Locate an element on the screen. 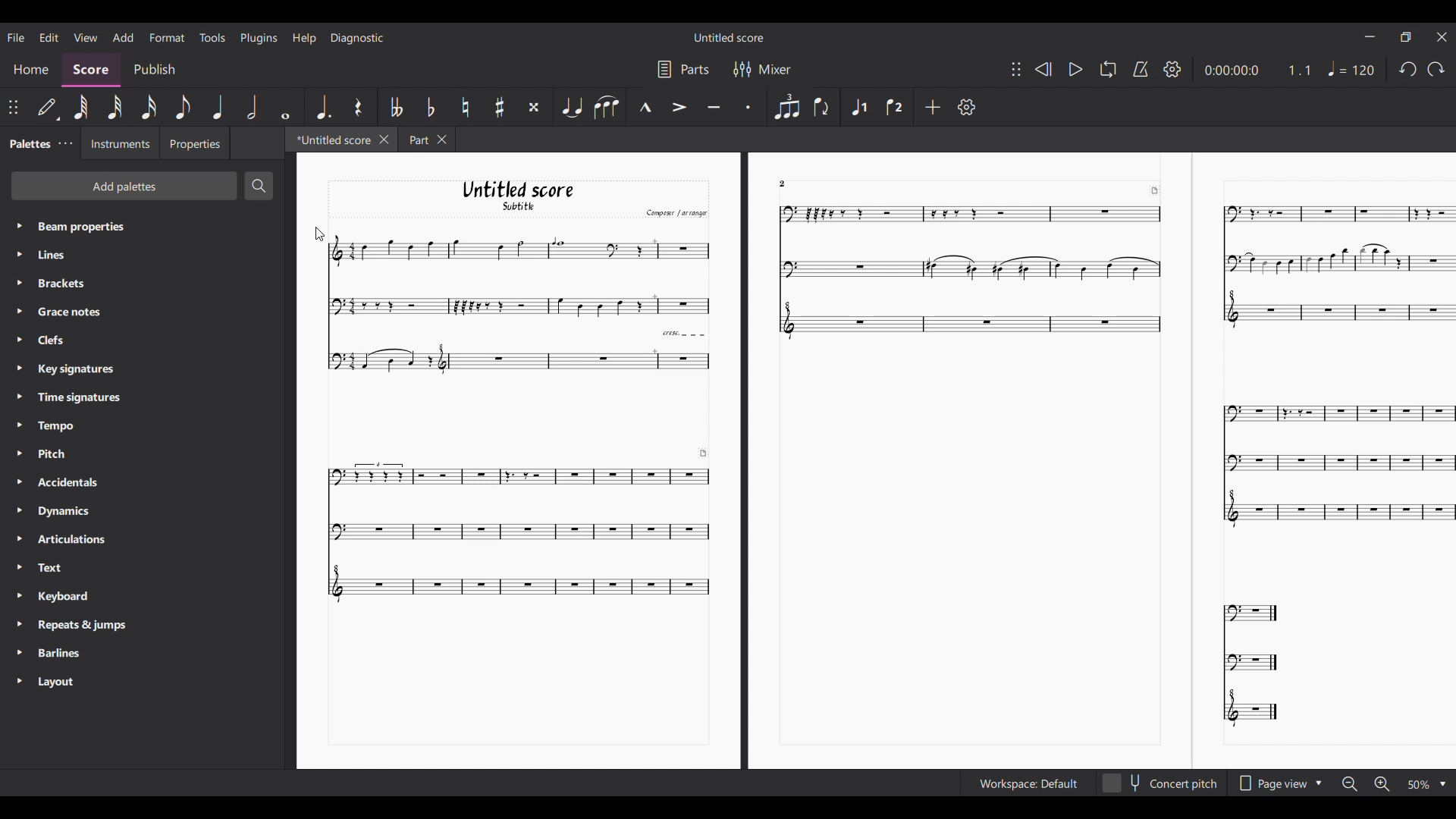  Voice 2 is located at coordinates (893, 107).